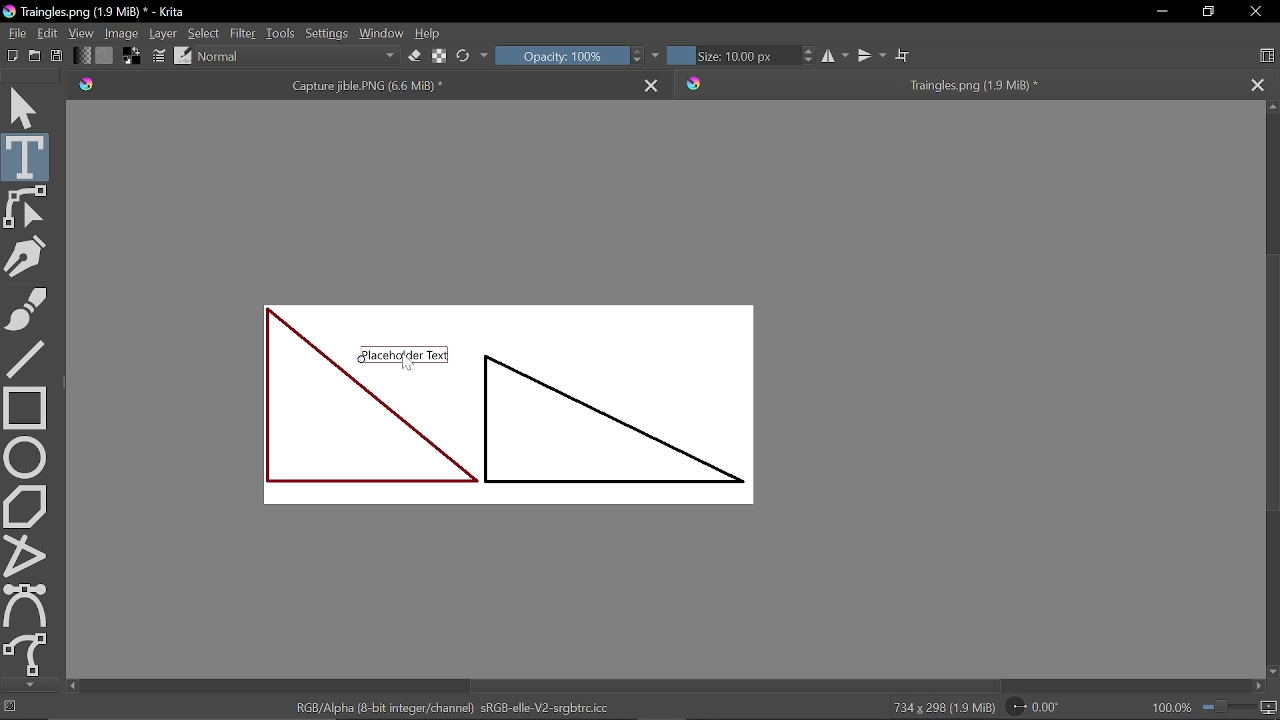 The image size is (1280, 720). I want to click on Vertical scrollbar, so click(1270, 384).